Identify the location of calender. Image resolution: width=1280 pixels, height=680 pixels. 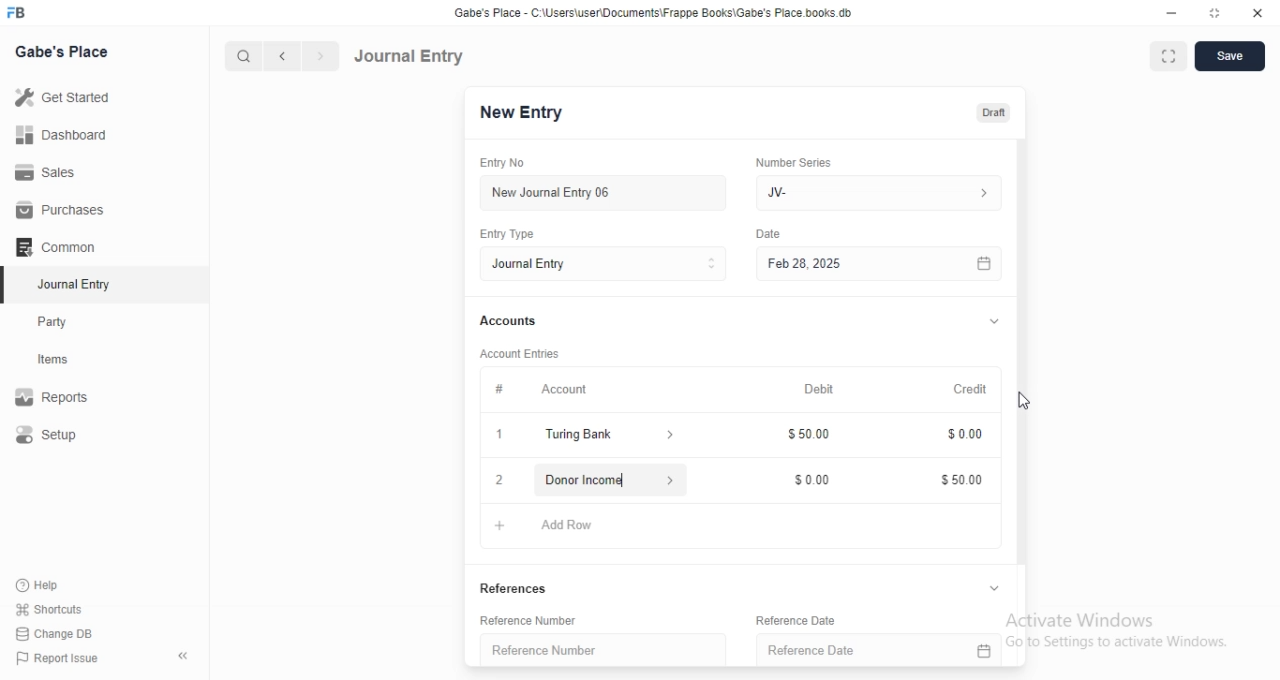
(983, 651).